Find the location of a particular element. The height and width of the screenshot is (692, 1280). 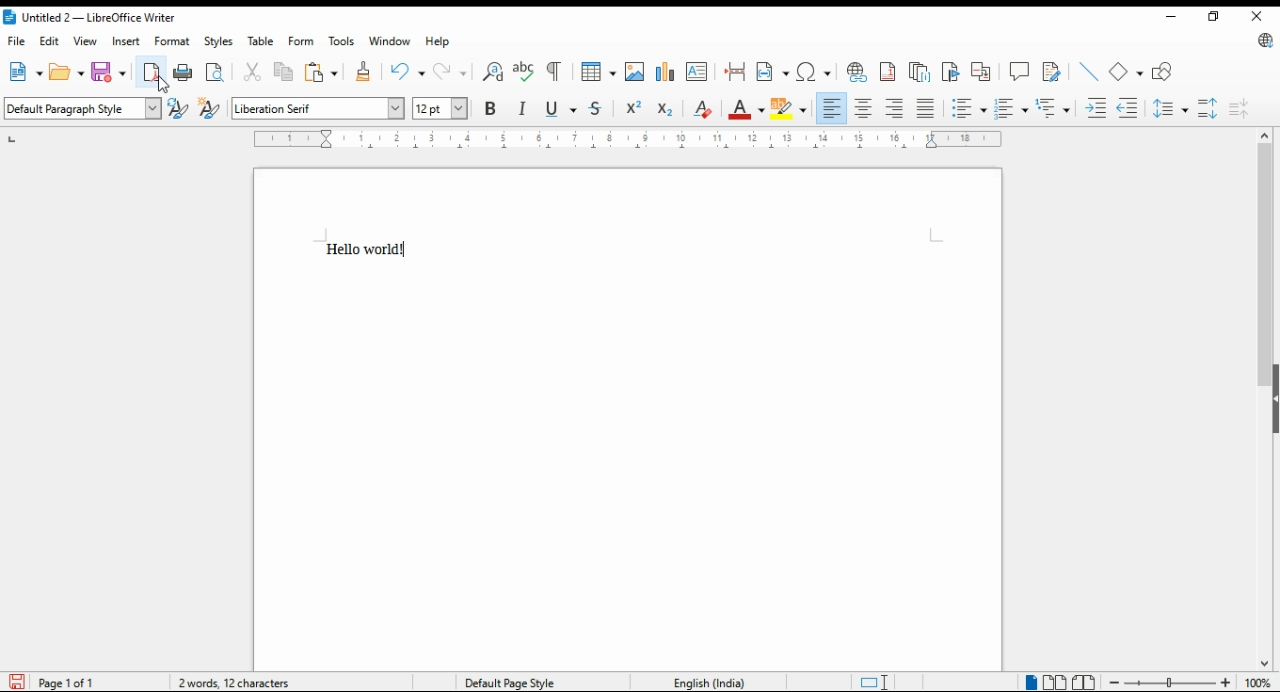

window is located at coordinates (390, 42).